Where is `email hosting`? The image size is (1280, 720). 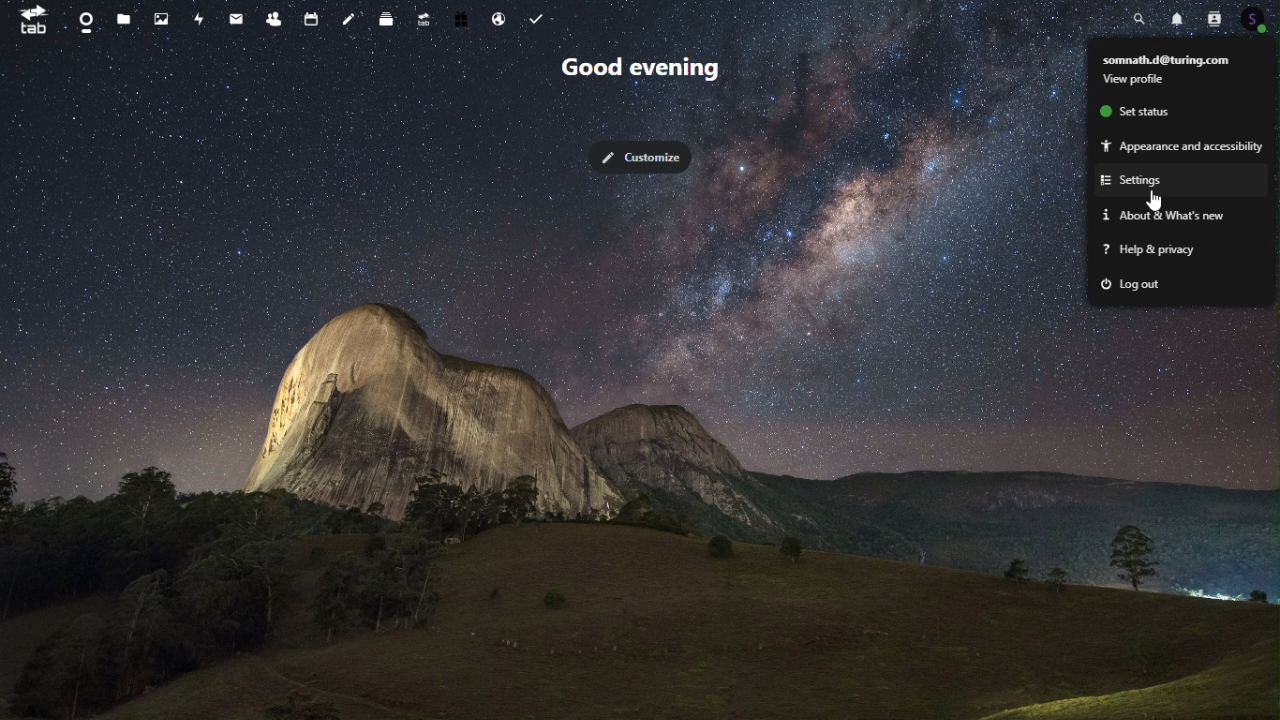
email hosting is located at coordinates (496, 18).